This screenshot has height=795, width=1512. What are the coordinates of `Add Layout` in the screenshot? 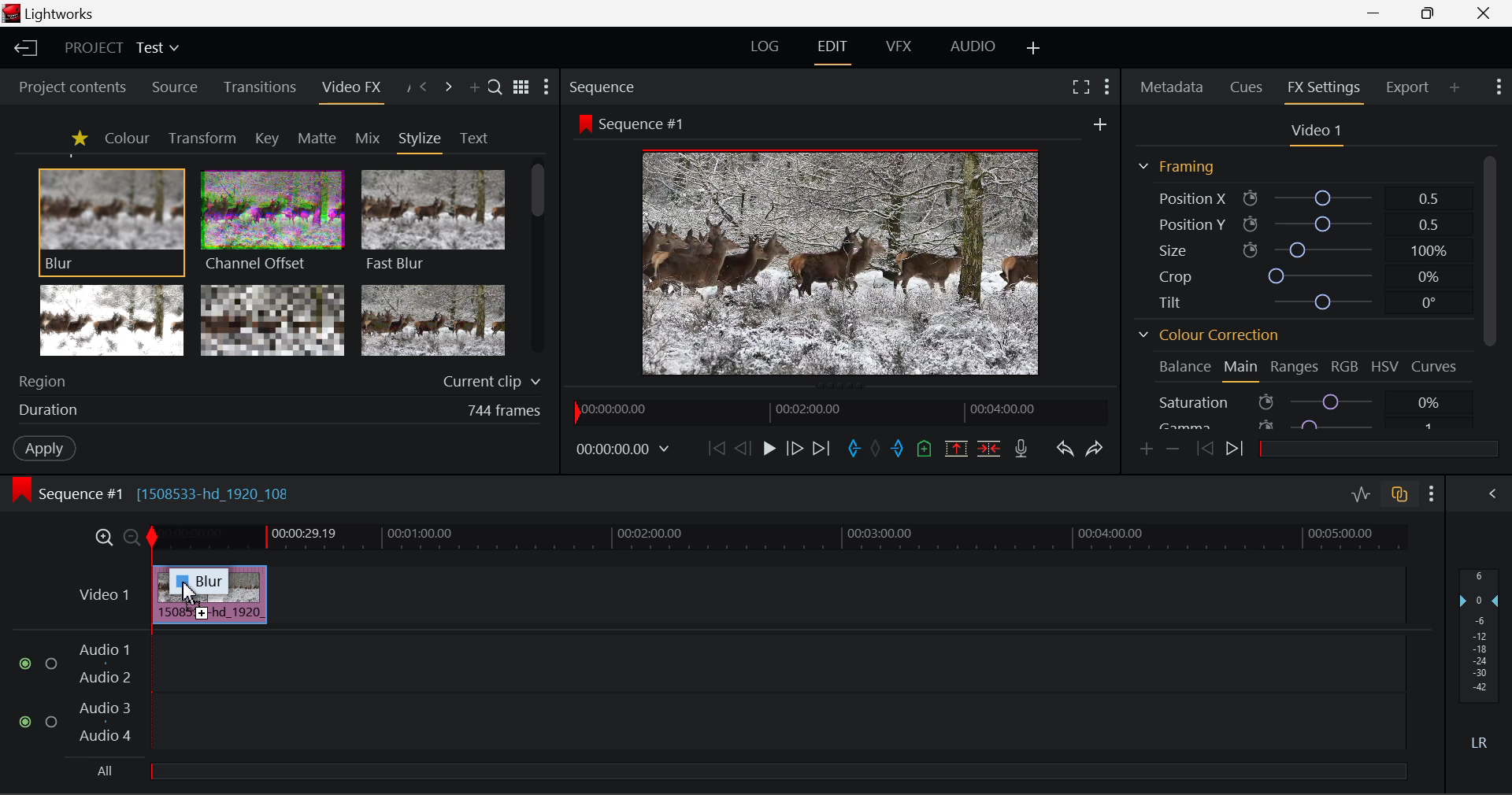 It's located at (1034, 48).